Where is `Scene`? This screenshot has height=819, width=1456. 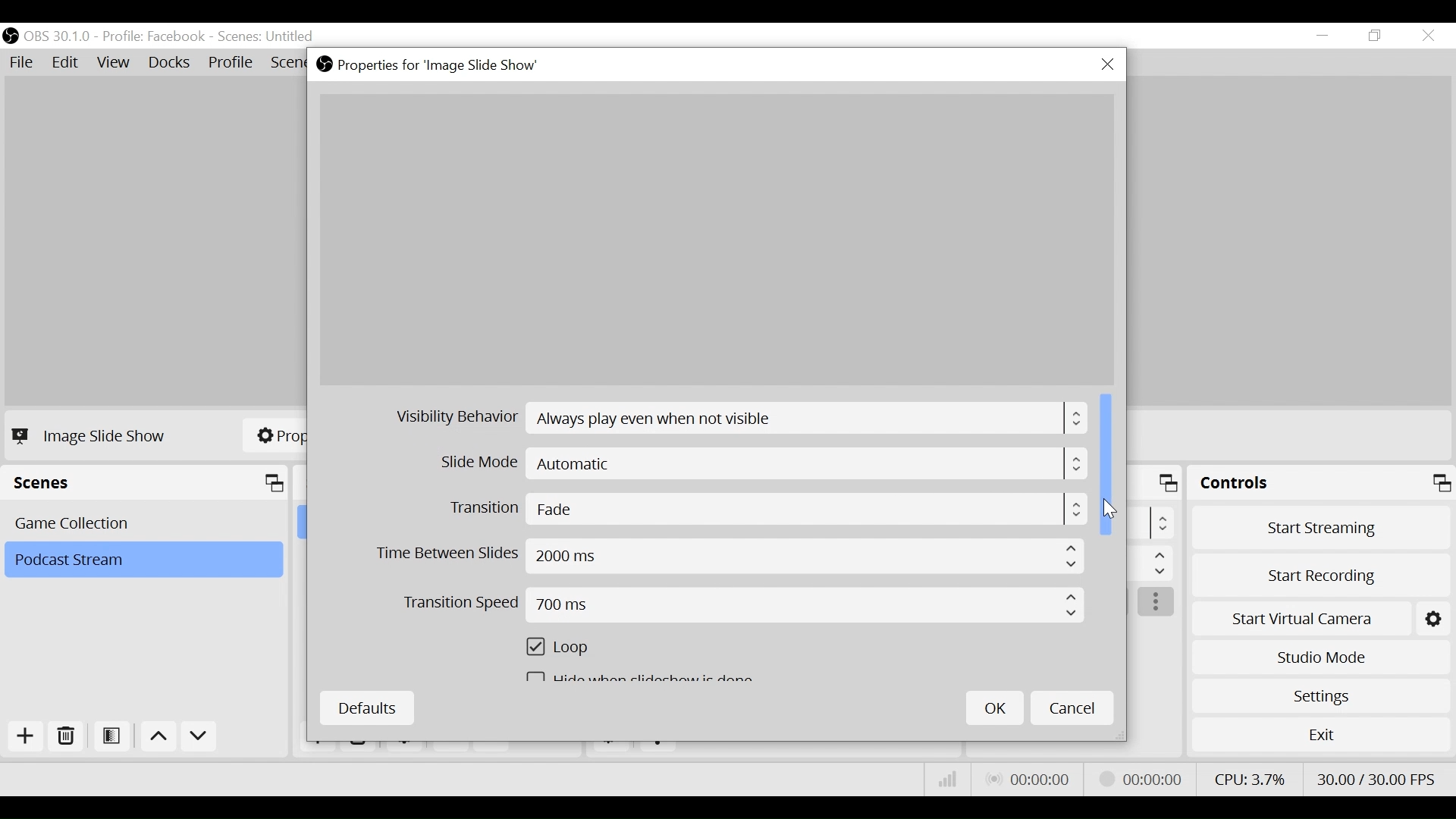 Scene is located at coordinates (146, 522).